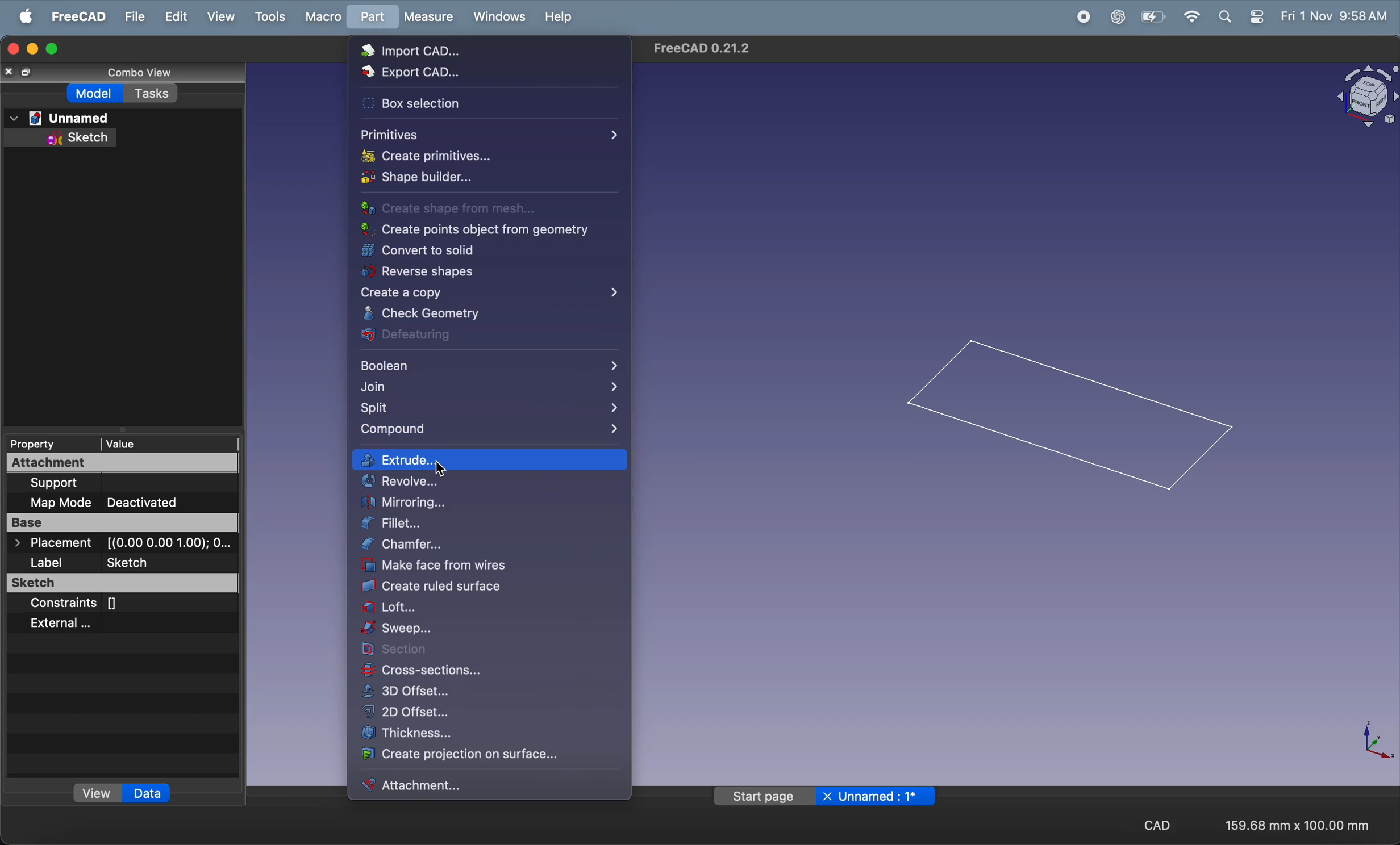 The width and height of the screenshot is (1400, 845). Describe the element at coordinates (491, 387) in the screenshot. I see `join` at that location.